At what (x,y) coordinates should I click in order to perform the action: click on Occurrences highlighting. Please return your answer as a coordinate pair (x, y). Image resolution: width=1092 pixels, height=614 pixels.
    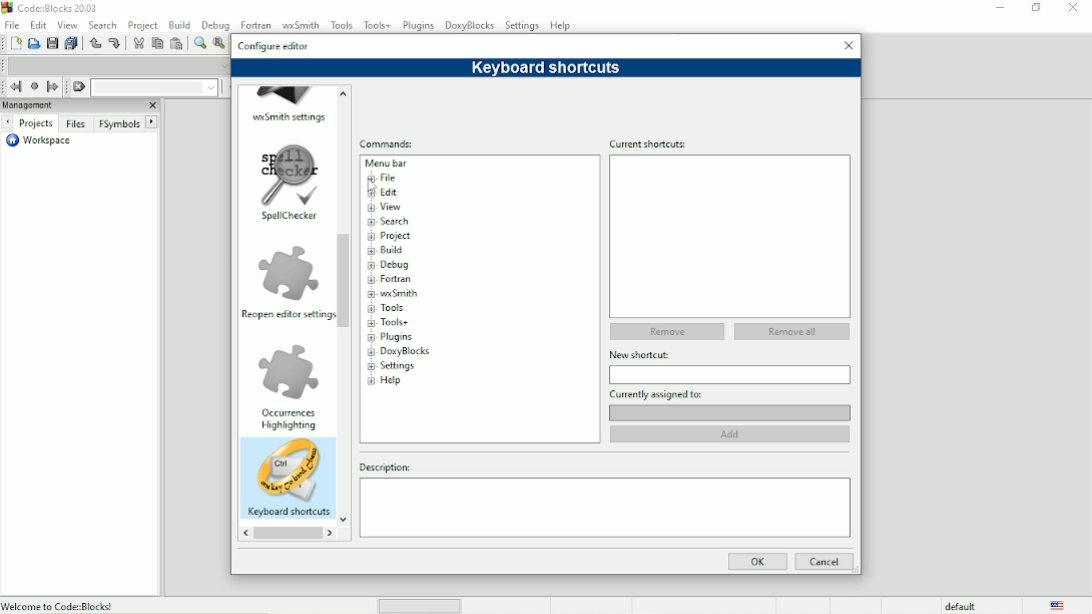
    Looking at the image, I should click on (288, 421).